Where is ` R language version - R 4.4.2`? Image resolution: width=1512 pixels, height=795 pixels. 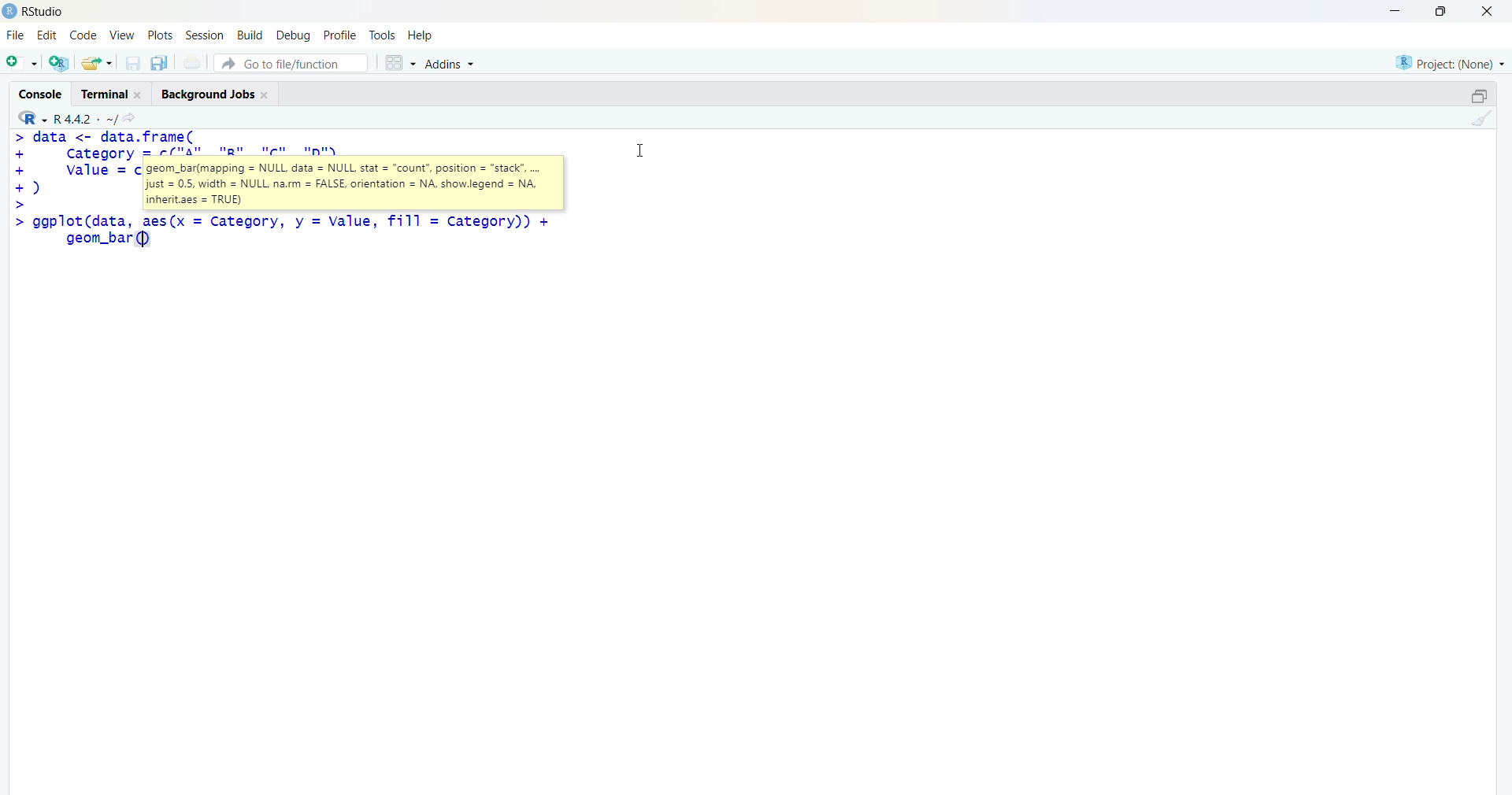
 R language version - R 4.4.2 is located at coordinates (85, 117).